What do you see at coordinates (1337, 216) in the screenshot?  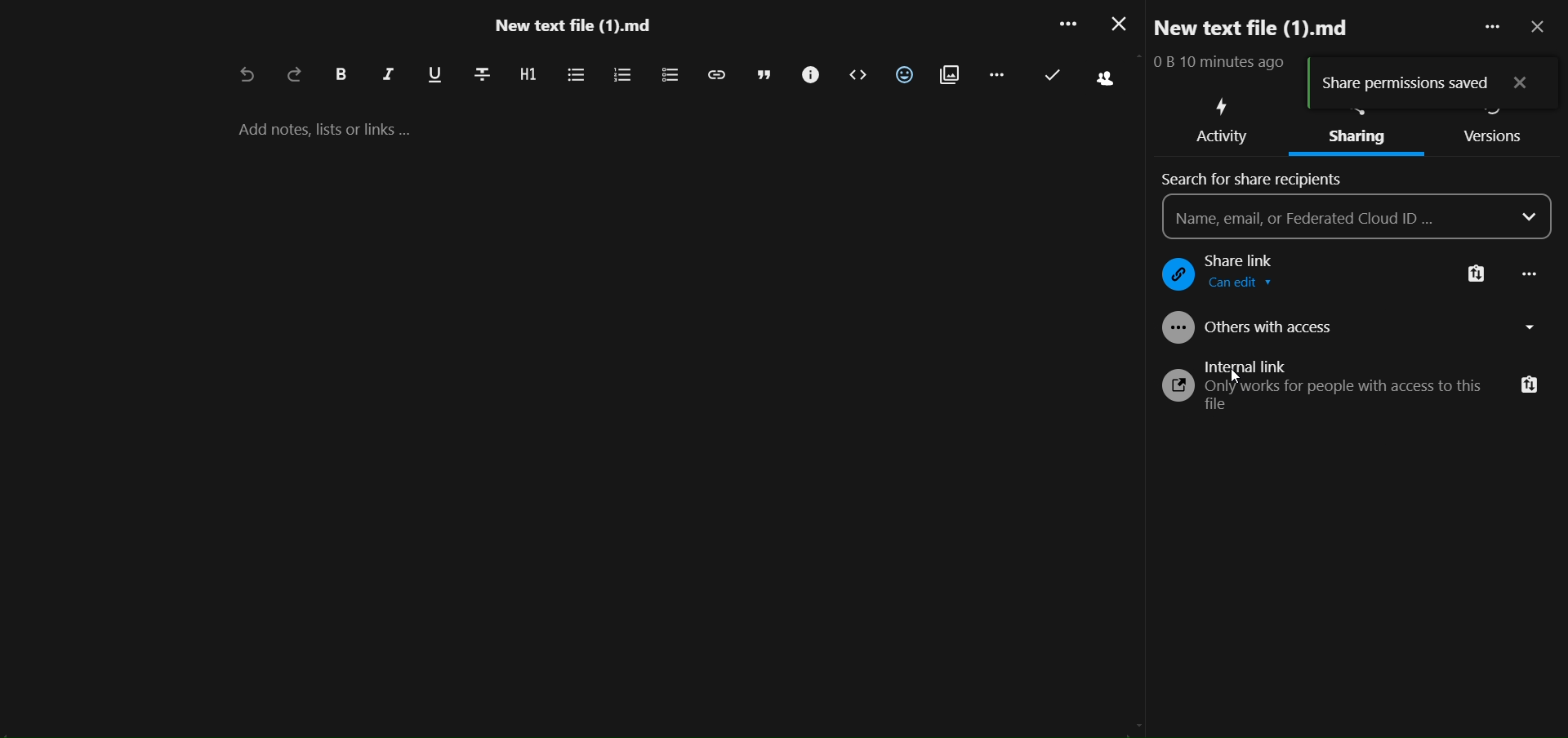 I see `name/mail area` at bounding box center [1337, 216].